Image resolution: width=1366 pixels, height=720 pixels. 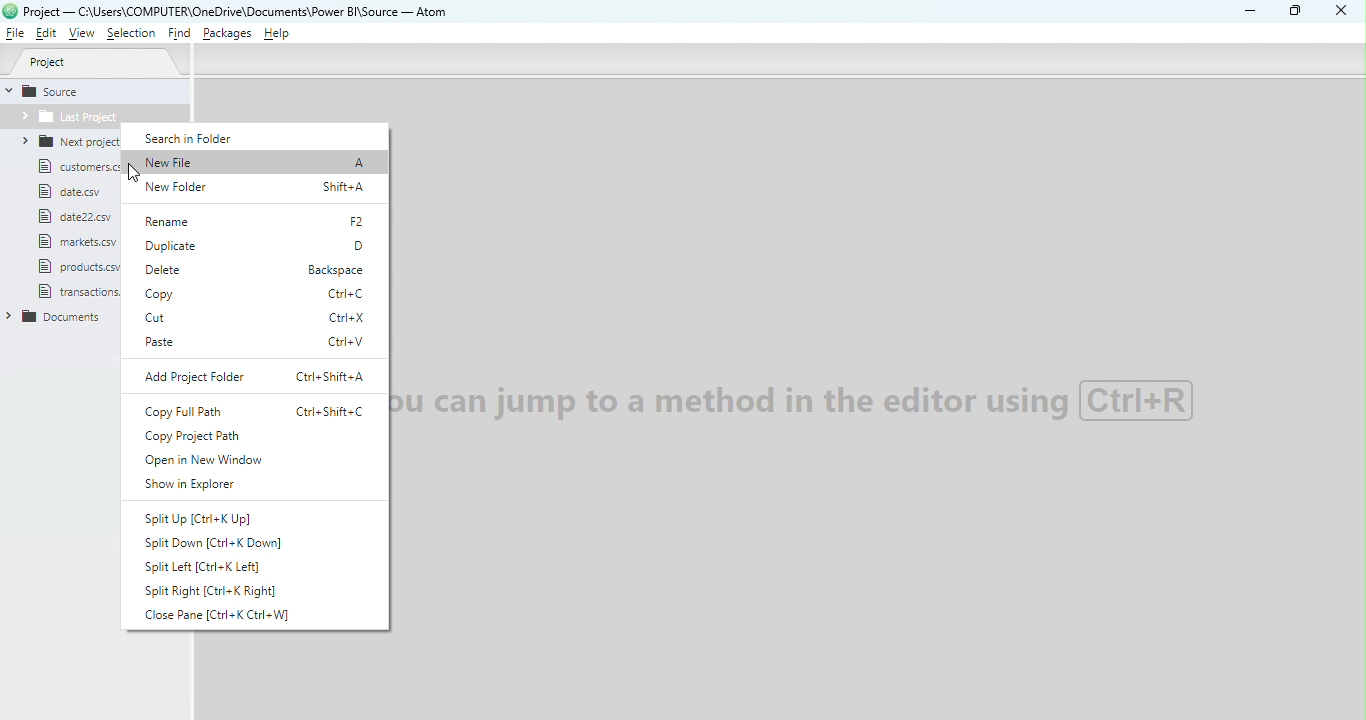 What do you see at coordinates (258, 343) in the screenshot?
I see `Paste` at bounding box center [258, 343].